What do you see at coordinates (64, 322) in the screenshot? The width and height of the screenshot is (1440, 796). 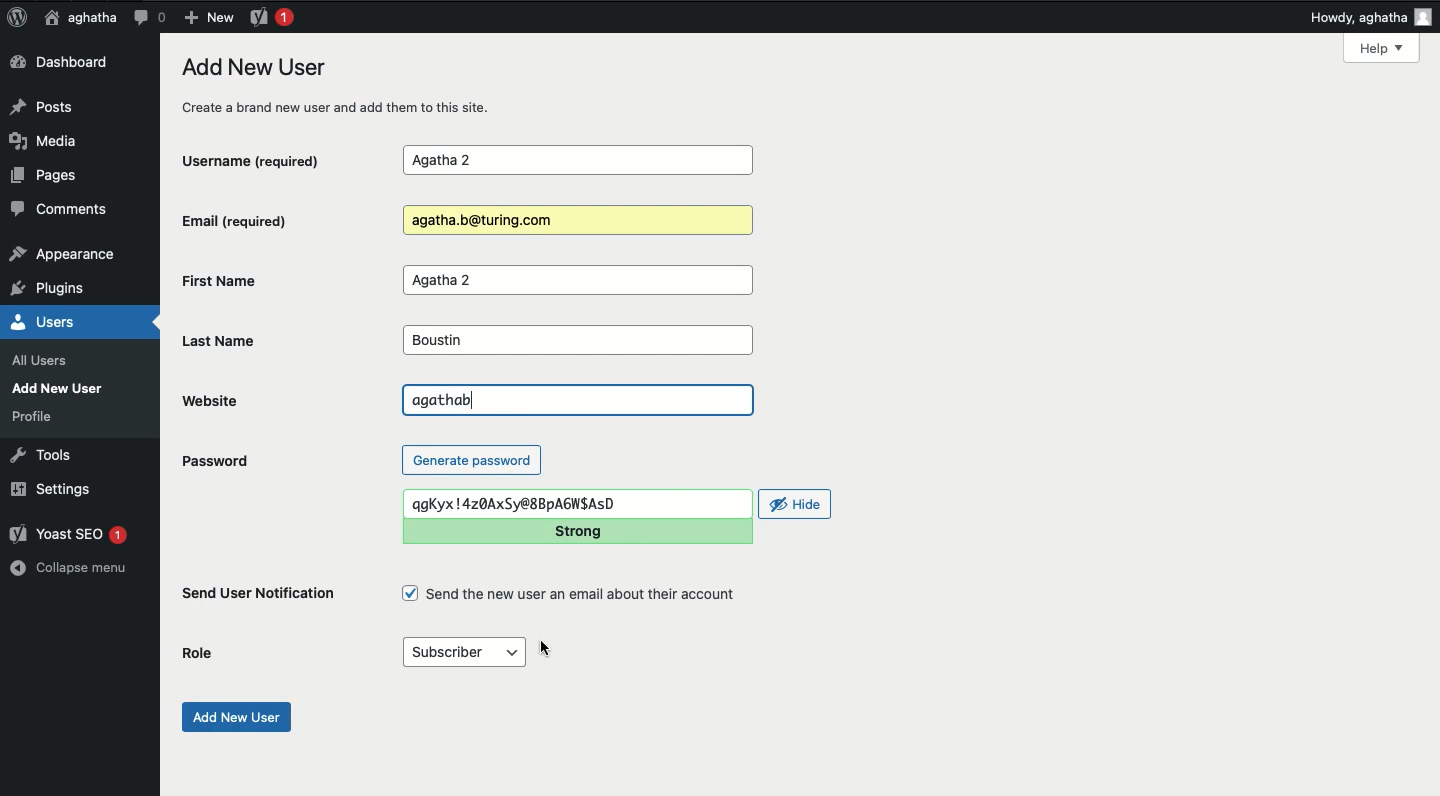 I see `Users` at bounding box center [64, 322].